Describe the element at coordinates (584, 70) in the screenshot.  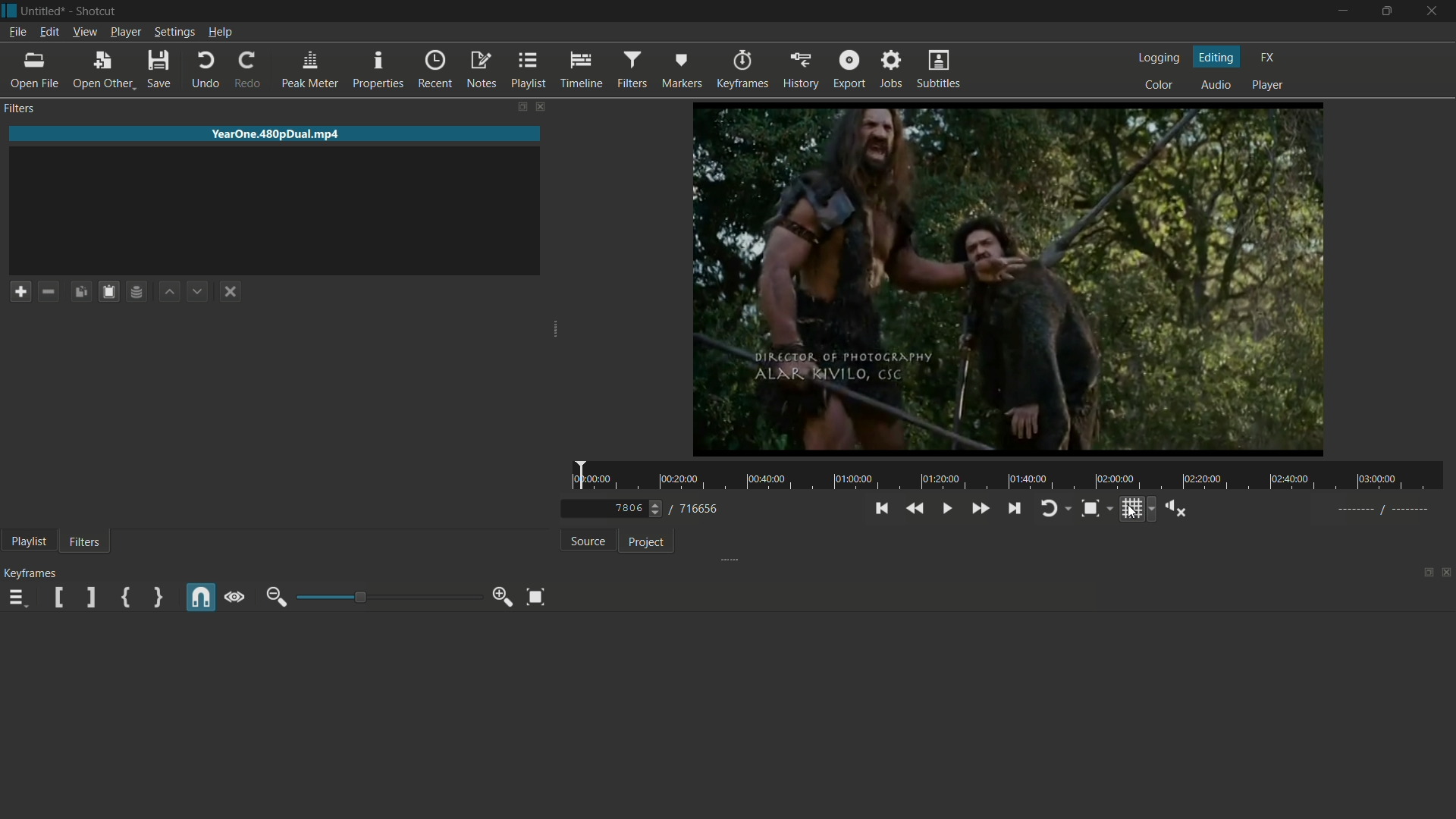
I see `timeline` at that location.